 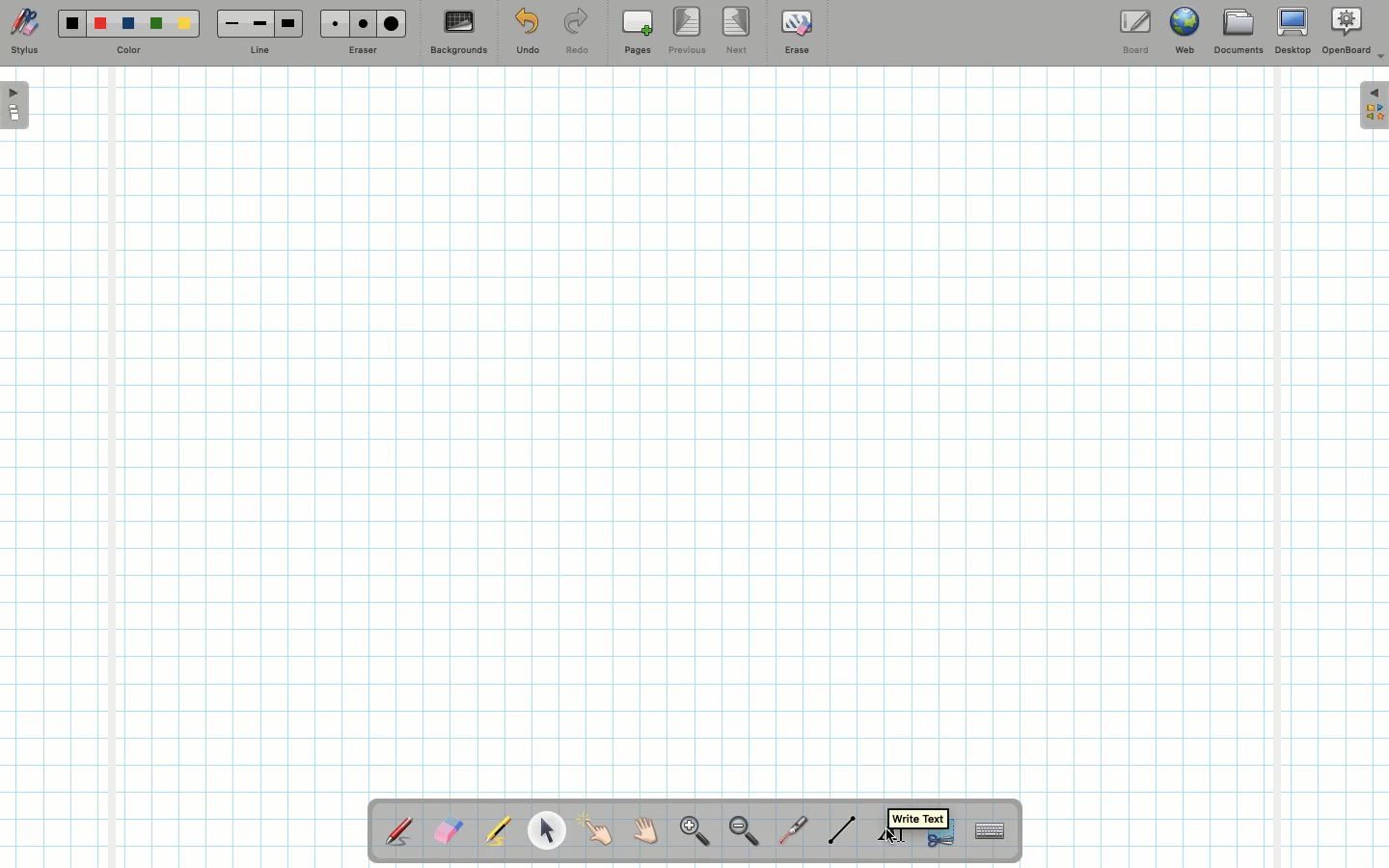 What do you see at coordinates (842, 829) in the screenshot?
I see `Line` at bounding box center [842, 829].